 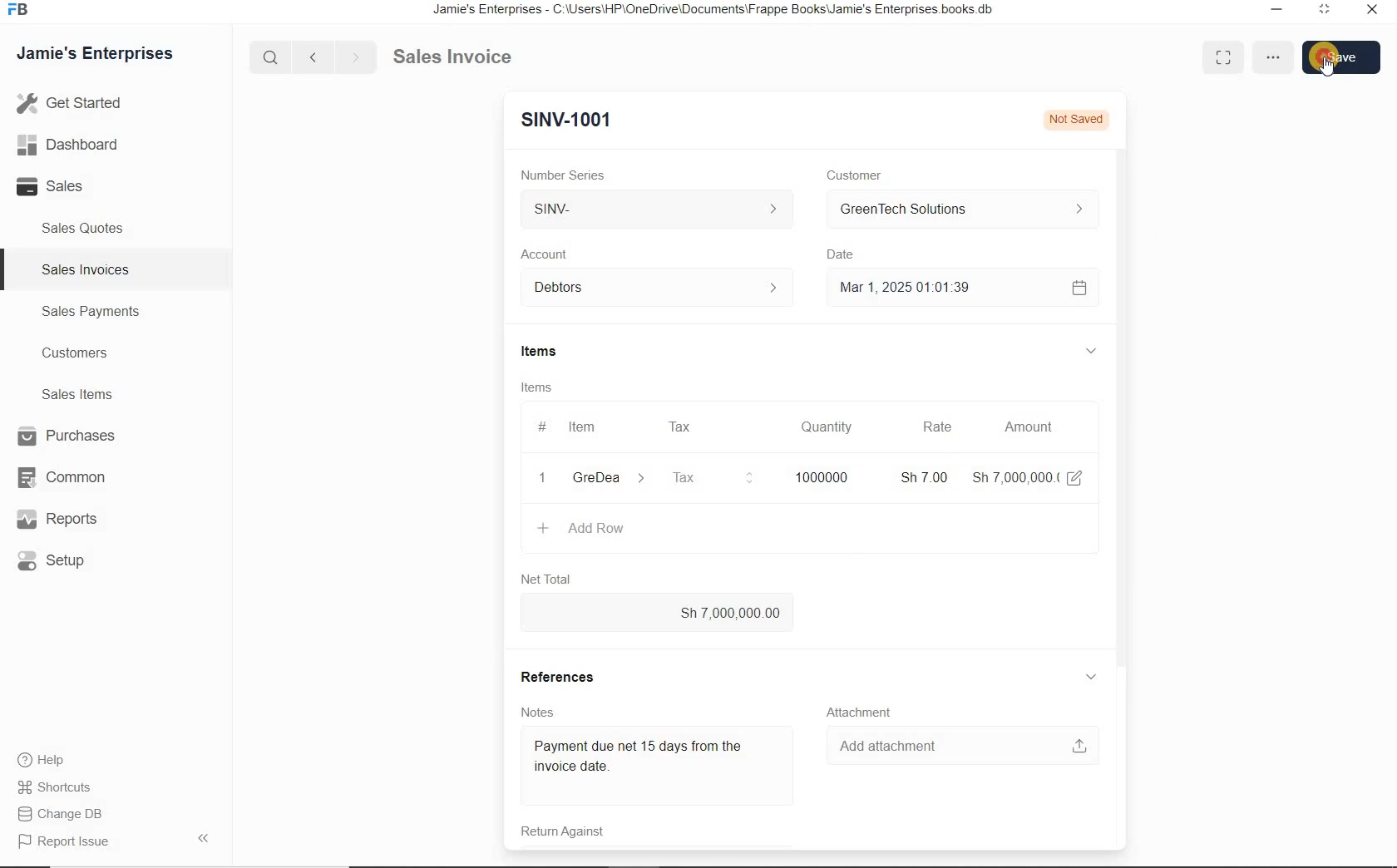 I want to click on option, so click(x=1260, y=56).